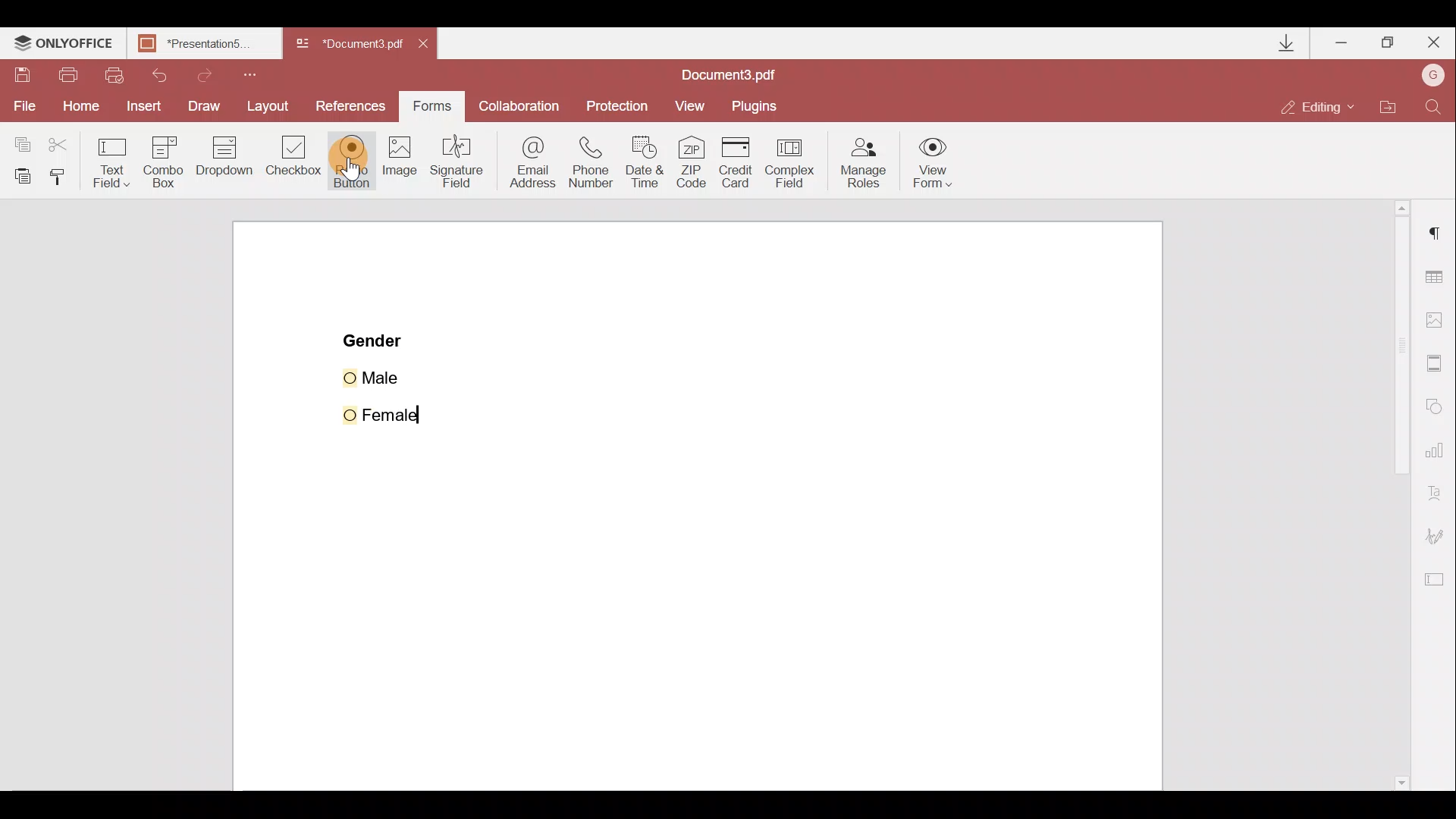  Describe the element at coordinates (259, 73) in the screenshot. I see `Customize quick access toolbar` at that location.